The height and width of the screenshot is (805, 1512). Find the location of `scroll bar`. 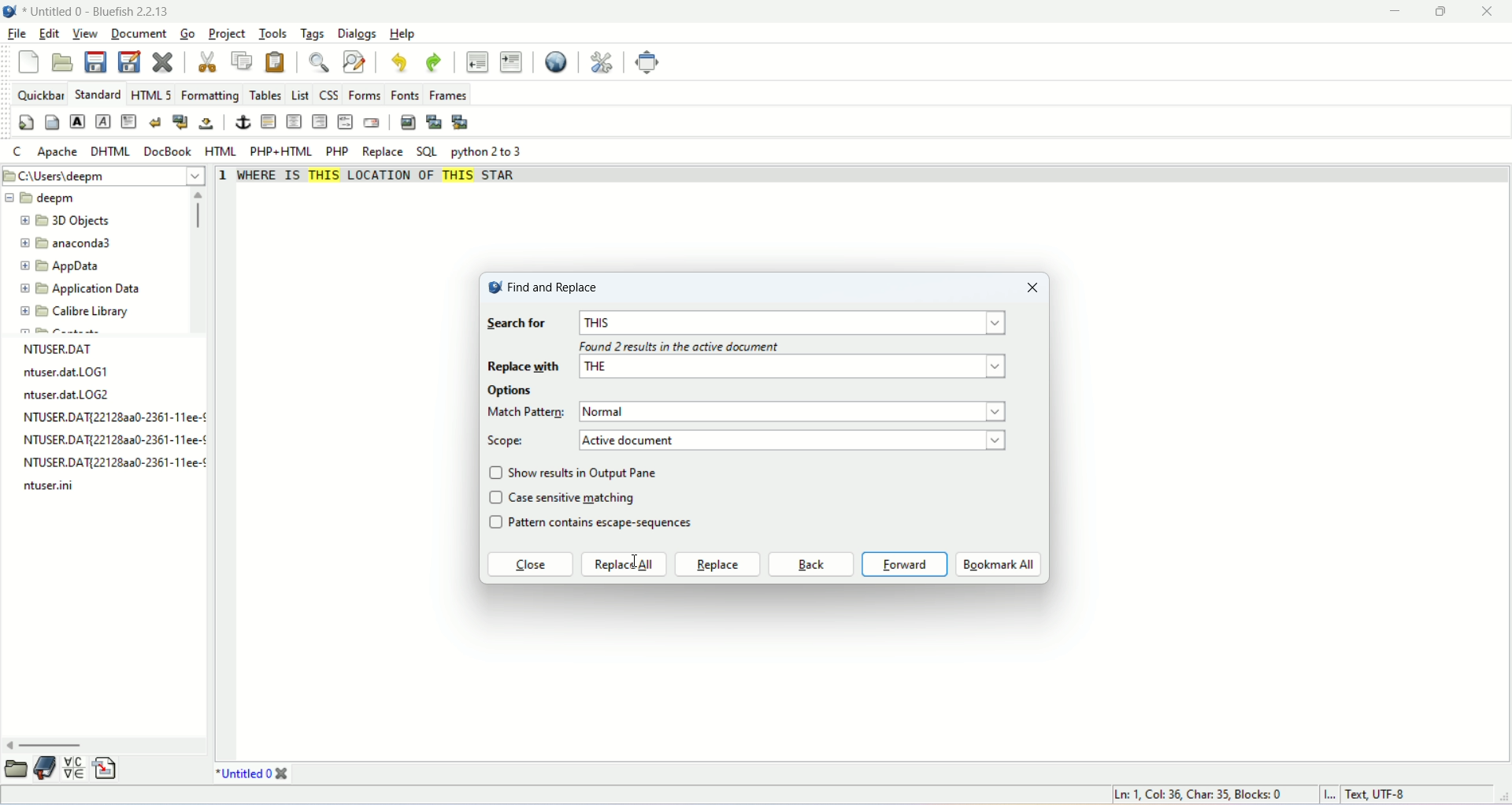

scroll bar is located at coordinates (105, 746).